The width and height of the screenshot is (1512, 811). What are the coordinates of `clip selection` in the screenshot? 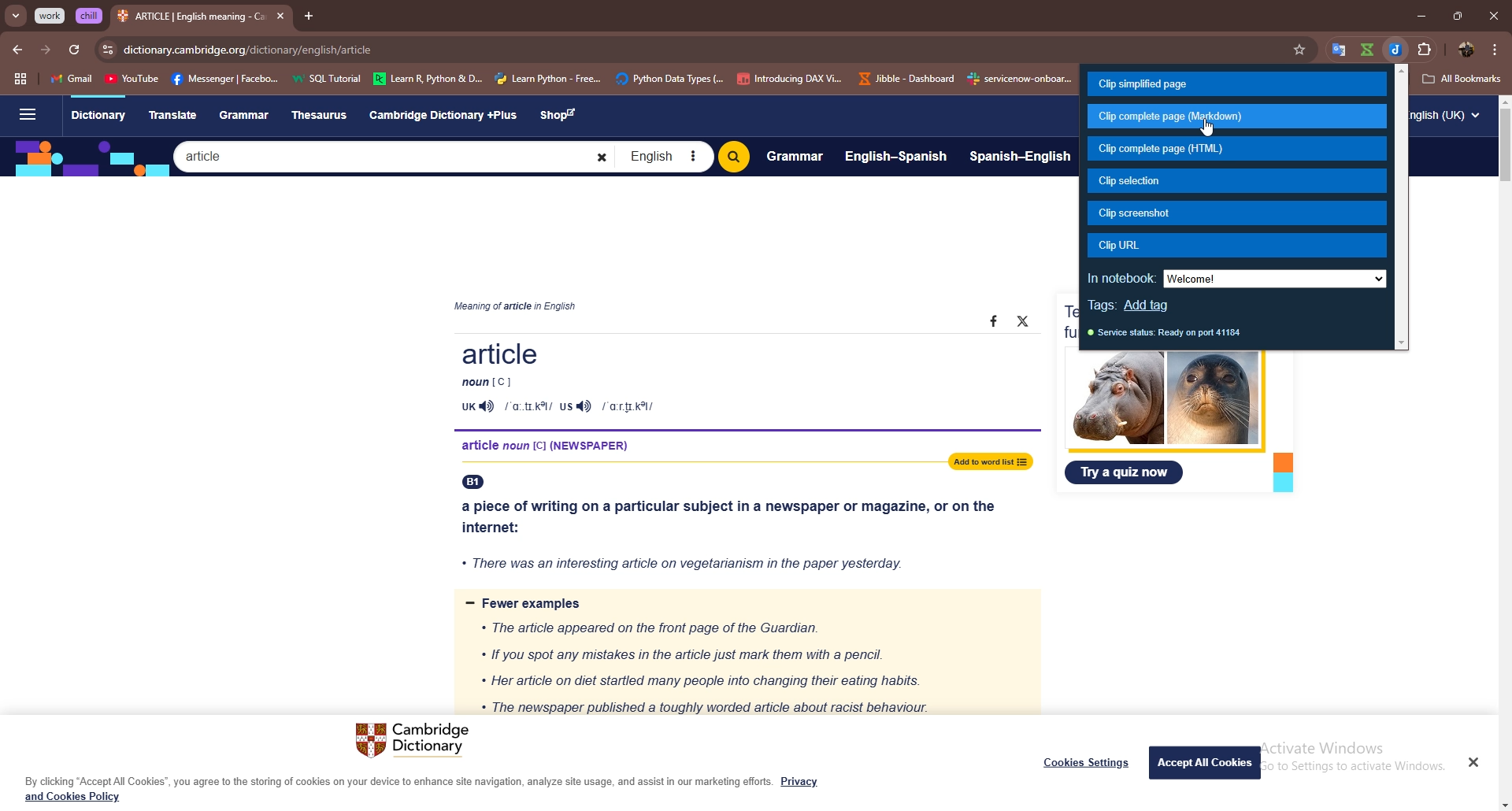 It's located at (1237, 181).